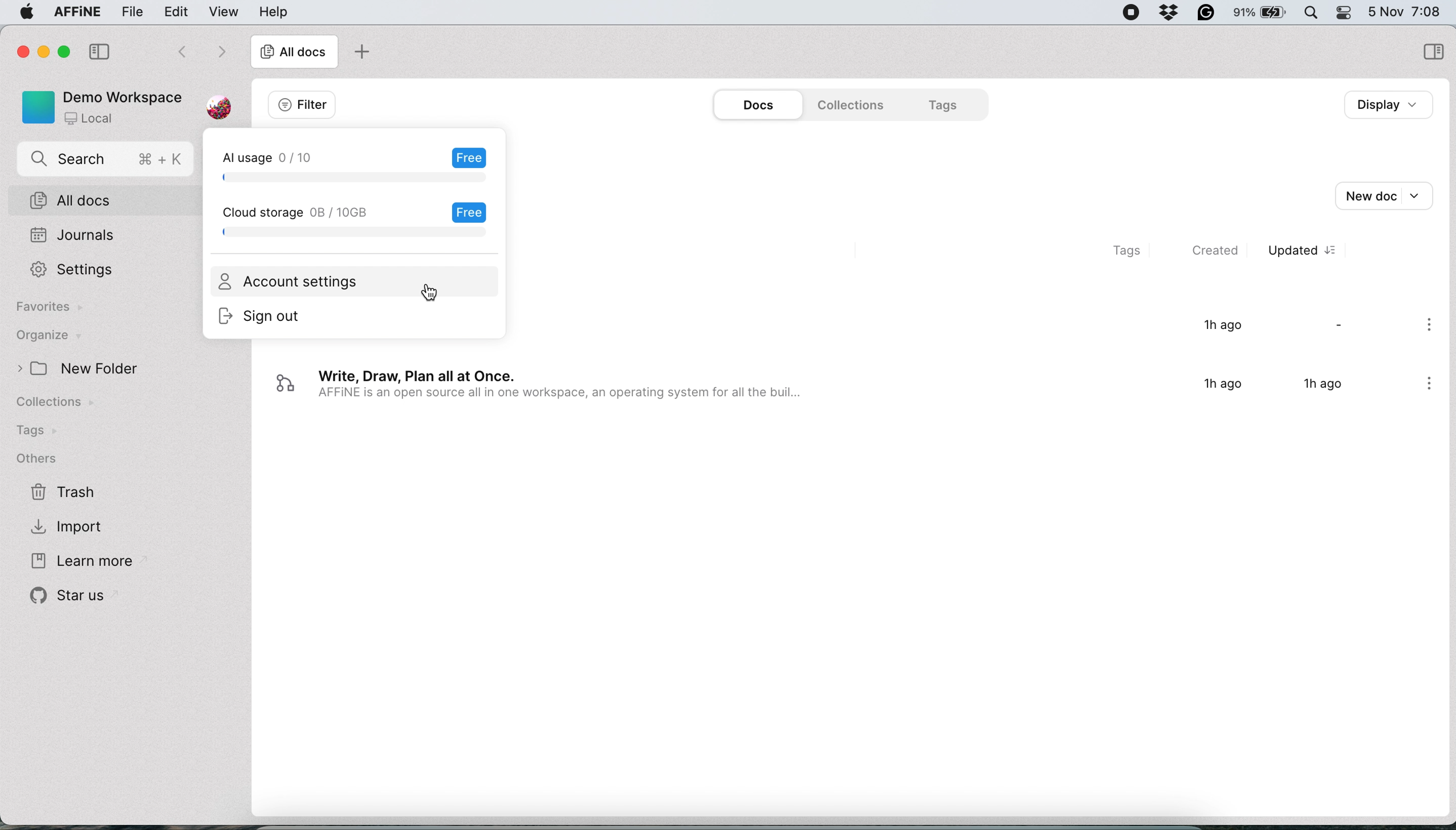 The width and height of the screenshot is (1456, 830). Describe the element at coordinates (1263, 14) in the screenshot. I see `battery` at that location.